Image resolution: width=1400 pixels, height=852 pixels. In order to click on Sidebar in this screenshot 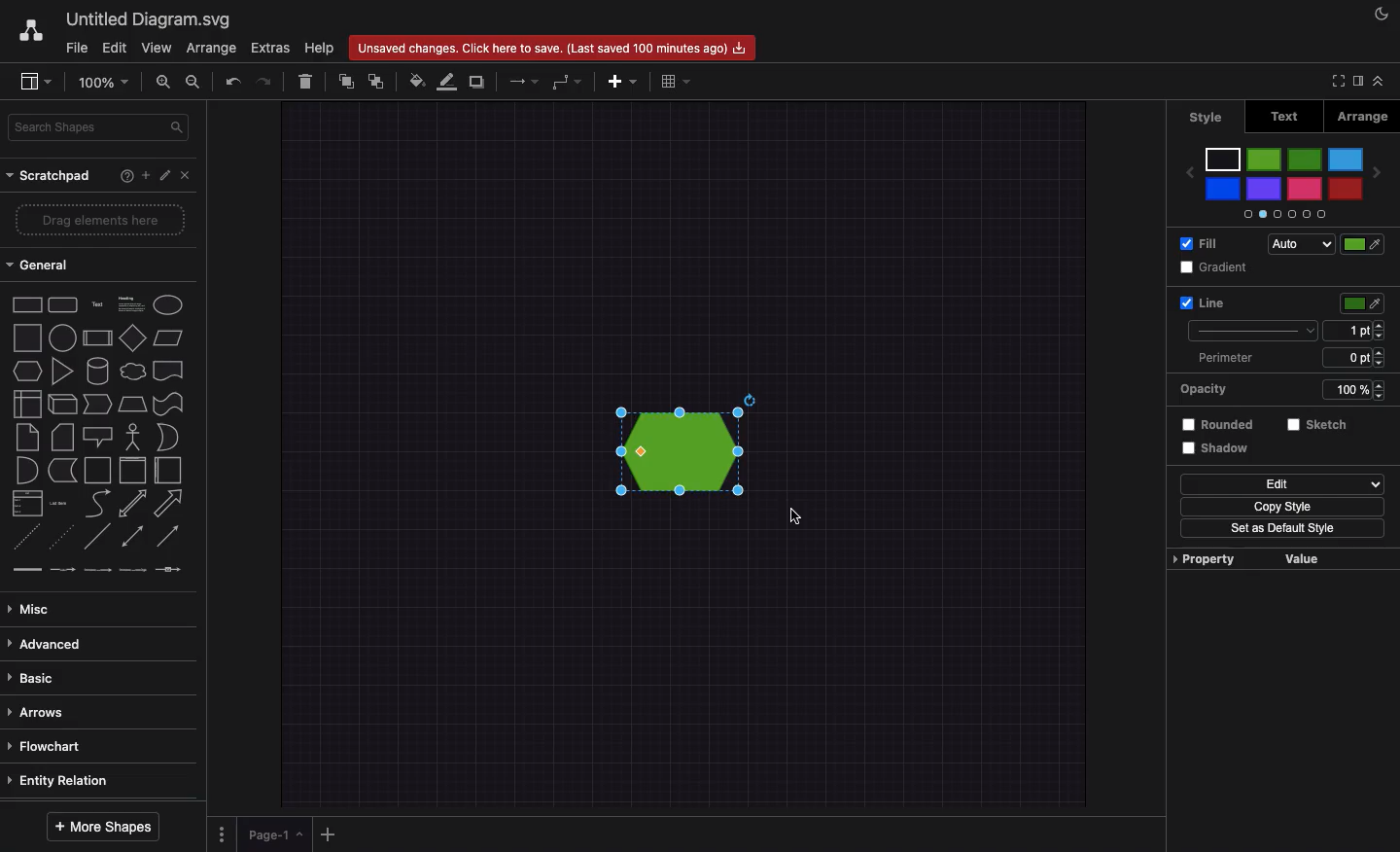, I will do `click(34, 83)`.